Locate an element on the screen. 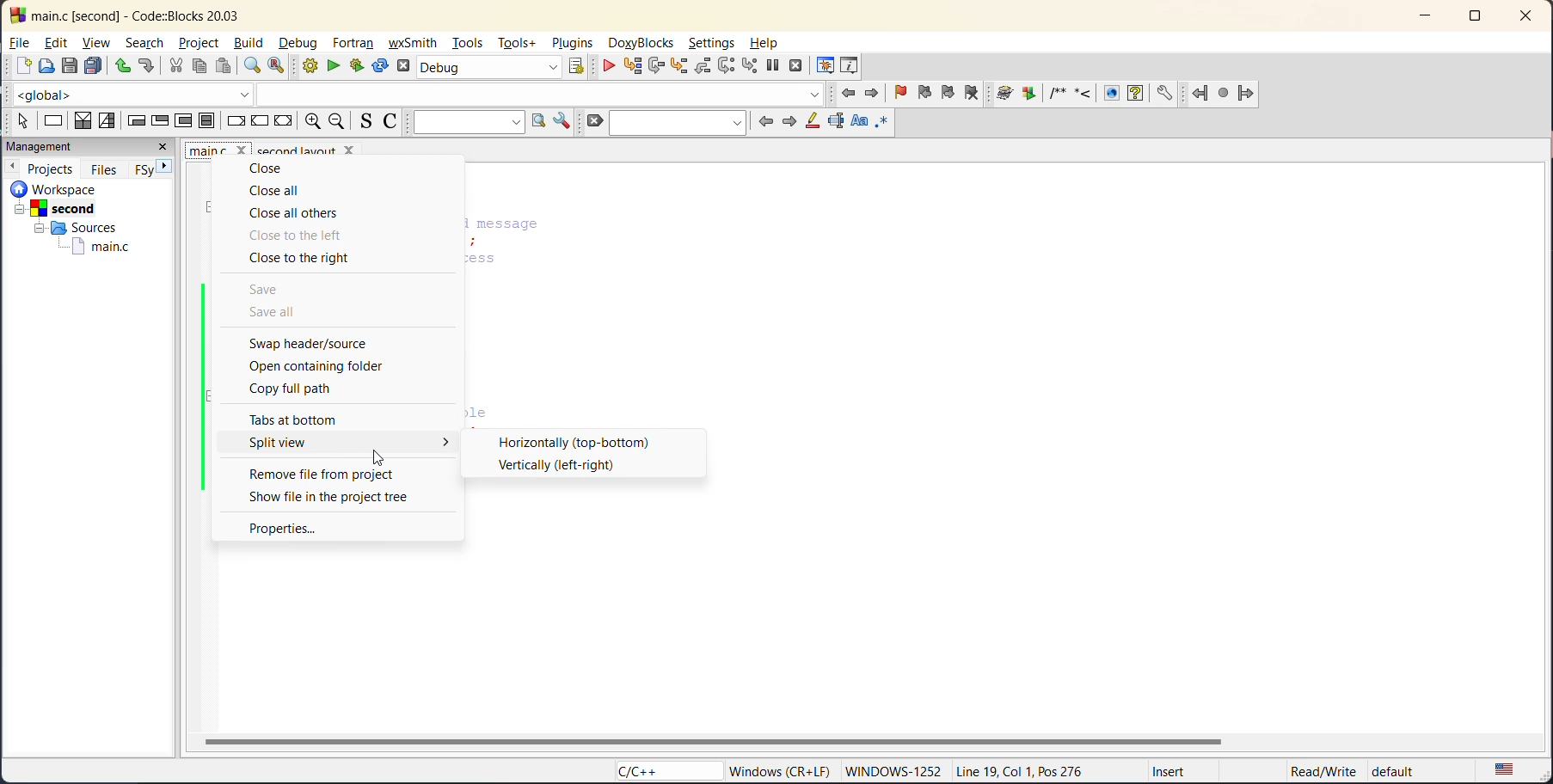  edit is located at coordinates (60, 41).